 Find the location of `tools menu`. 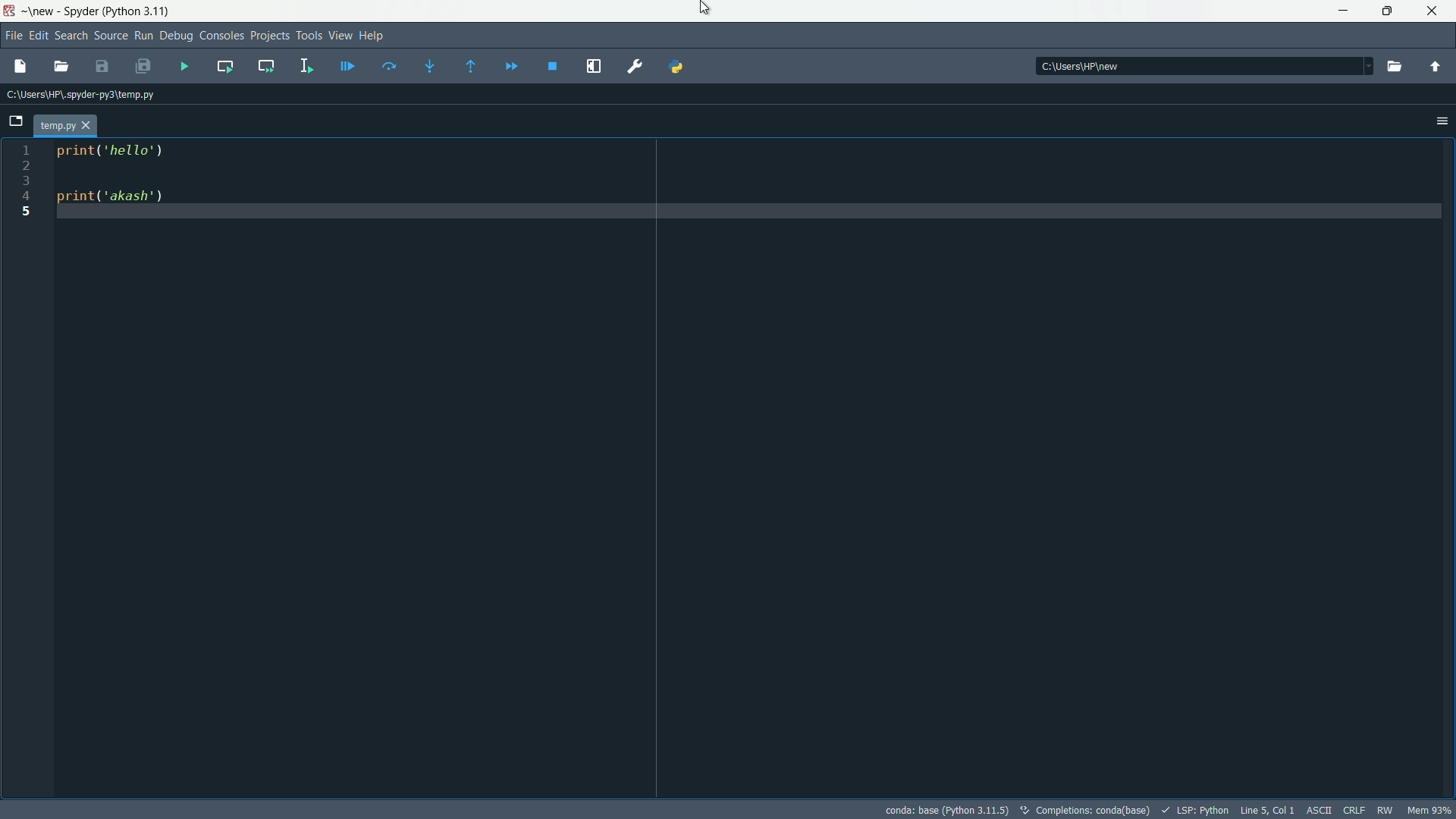

tools menu is located at coordinates (308, 36).